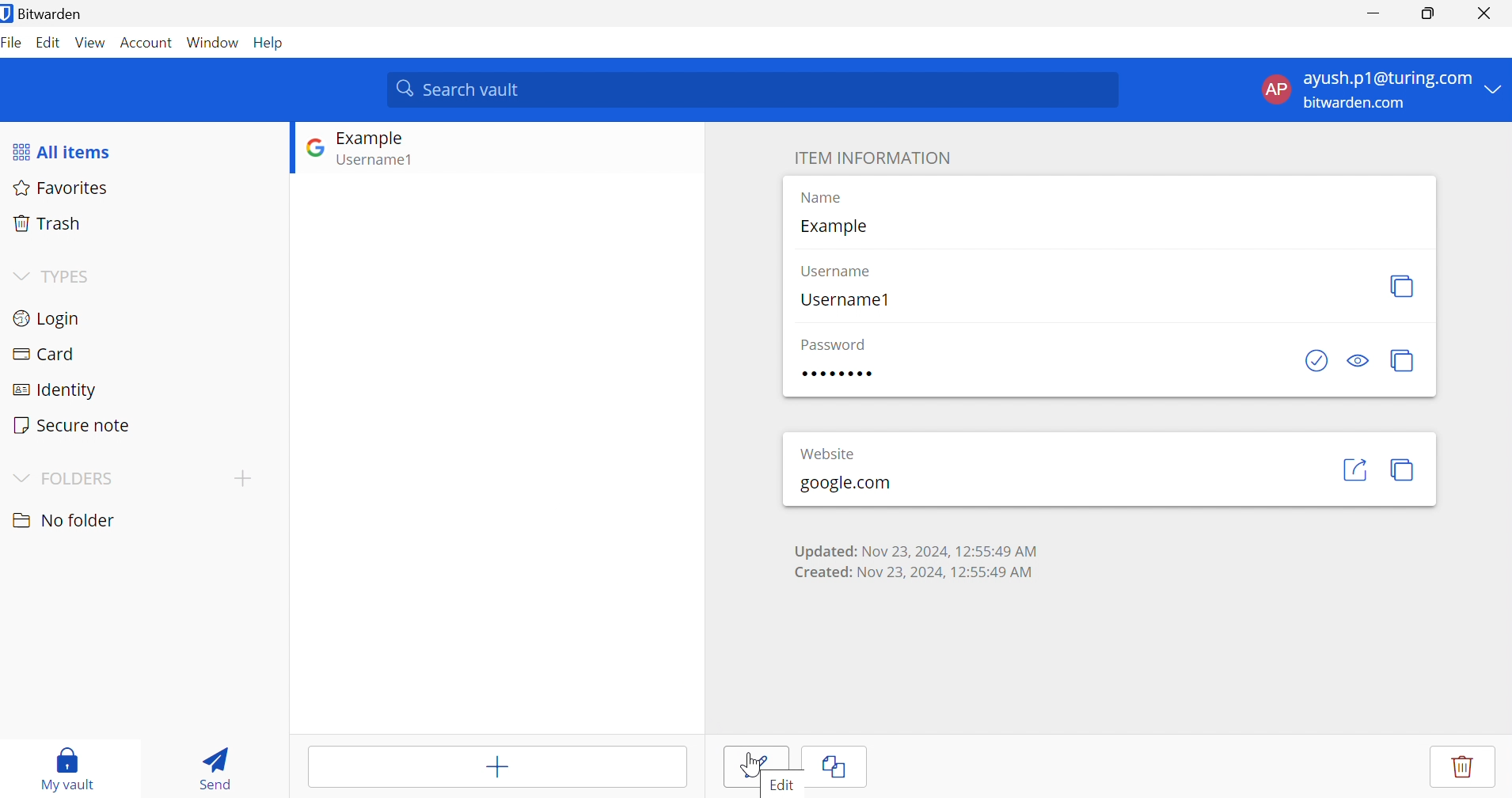 The height and width of the screenshot is (798, 1512). What do you see at coordinates (754, 766) in the screenshot?
I see `CURSOR` at bounding box center [754, 766].